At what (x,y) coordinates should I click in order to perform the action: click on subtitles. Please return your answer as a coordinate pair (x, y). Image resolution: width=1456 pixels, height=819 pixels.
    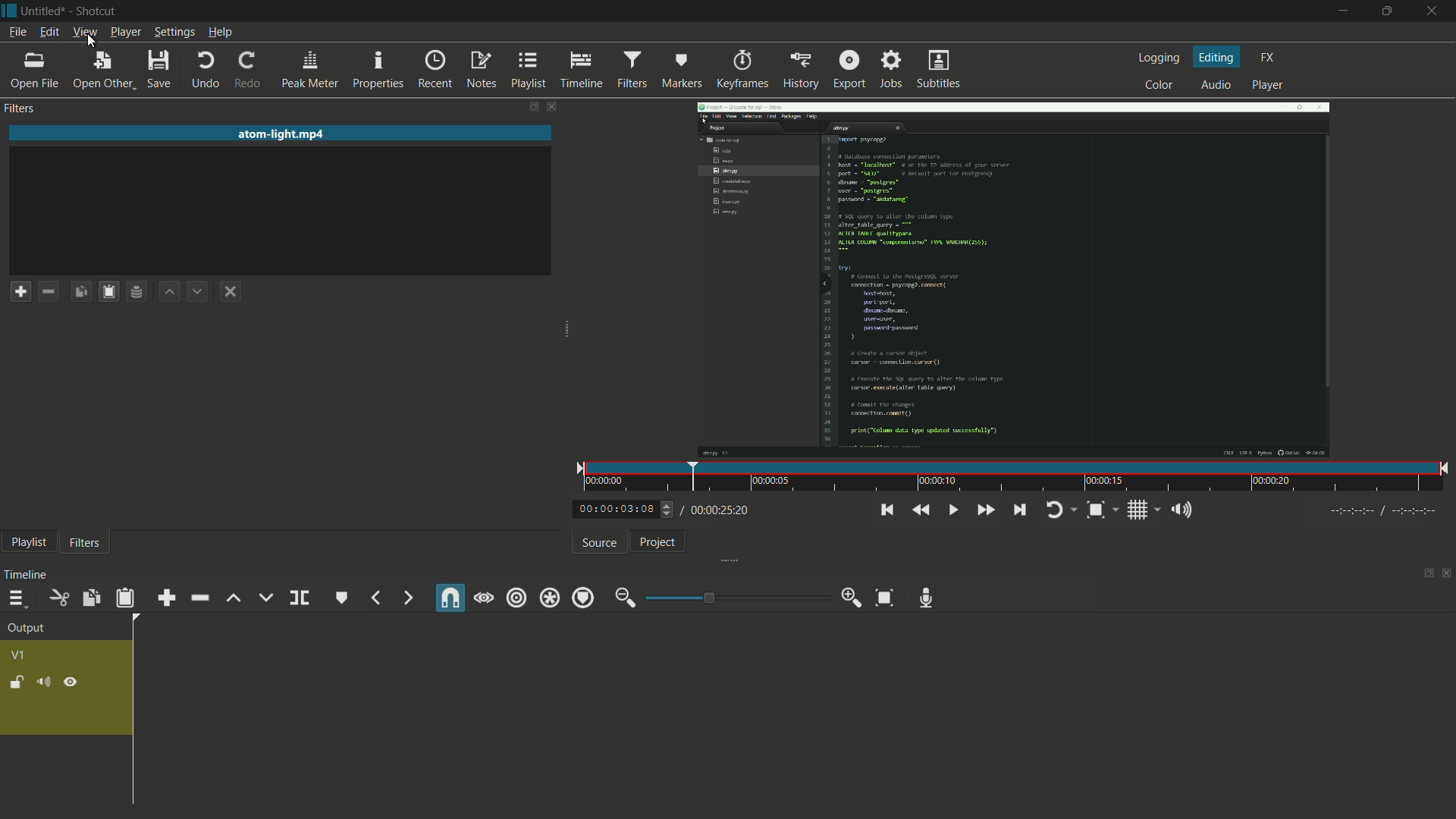
    Looking at the image, I should click on (939, 68).